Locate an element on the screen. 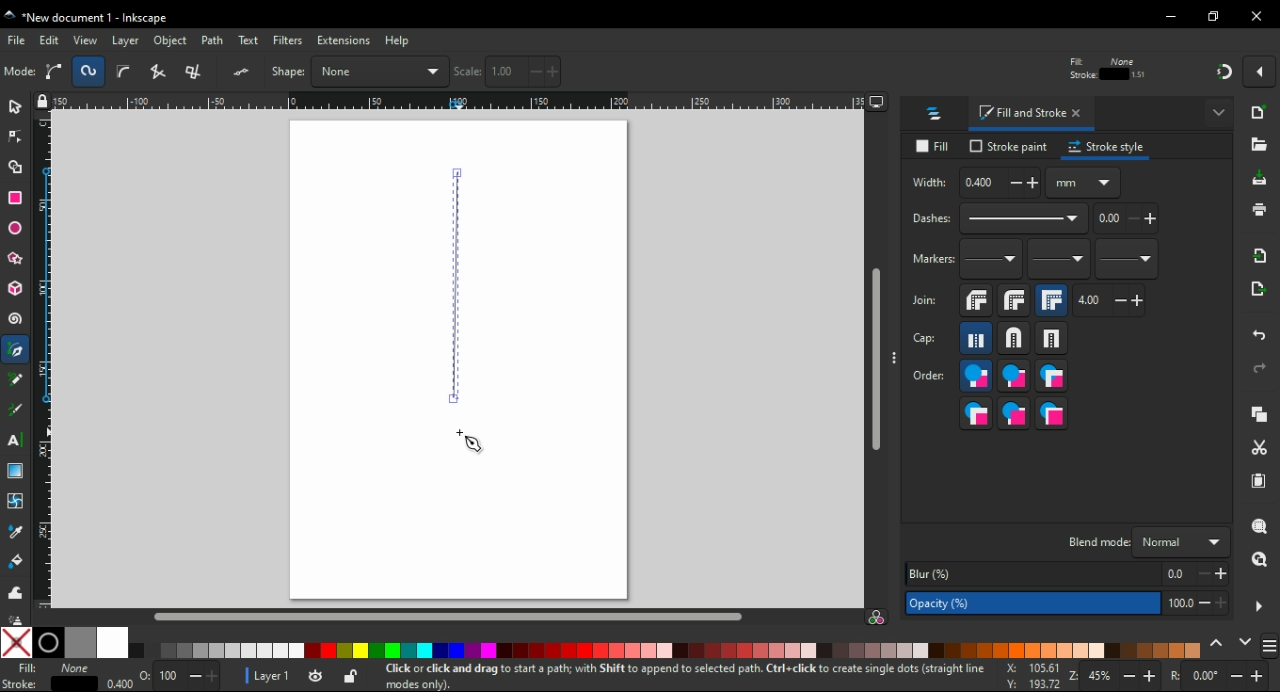 This screenshot has height=692, width=1280. new line segment is located at coordinates (454, 287).